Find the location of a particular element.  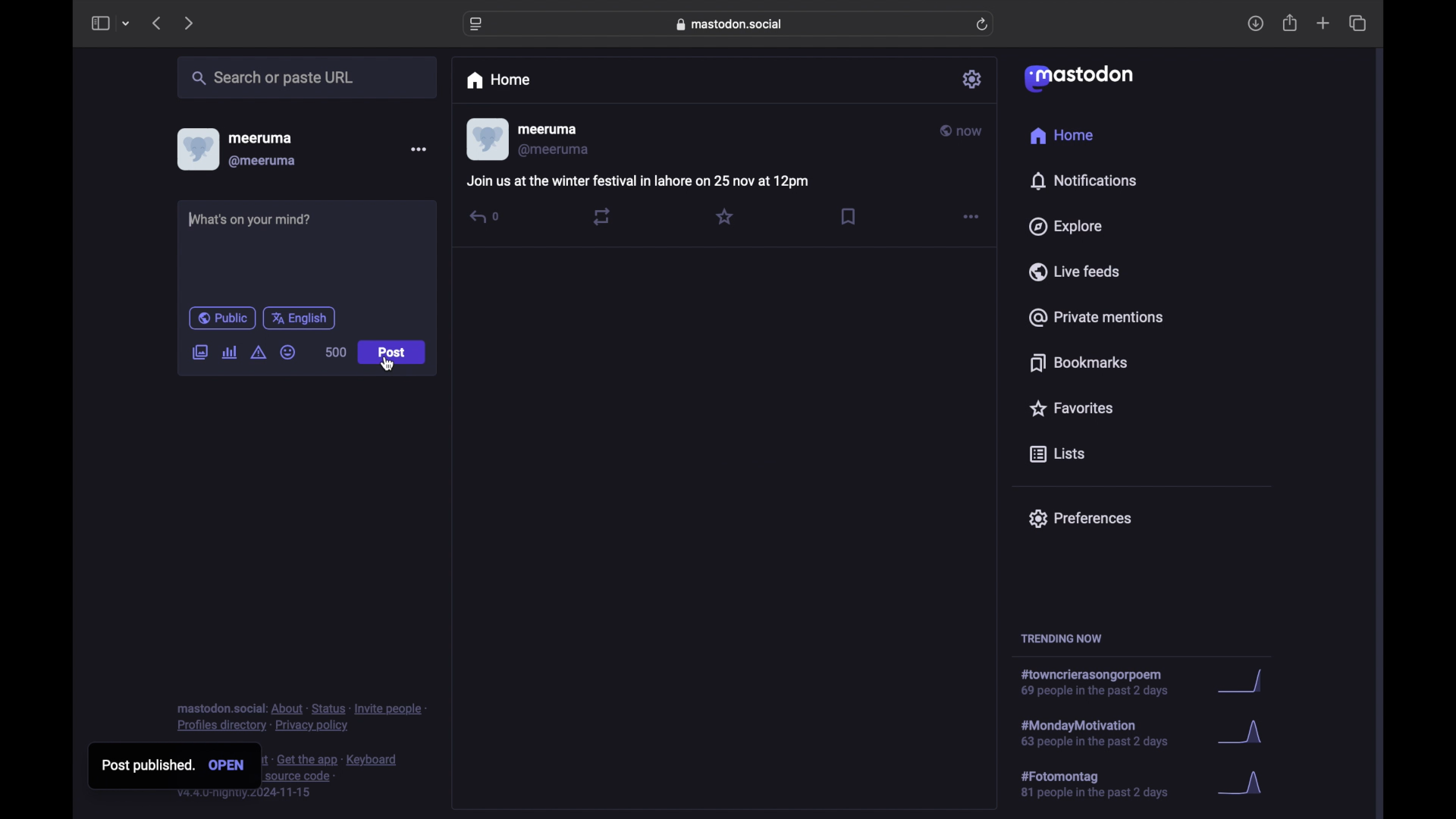

share is located at coordinates (1291, 24).